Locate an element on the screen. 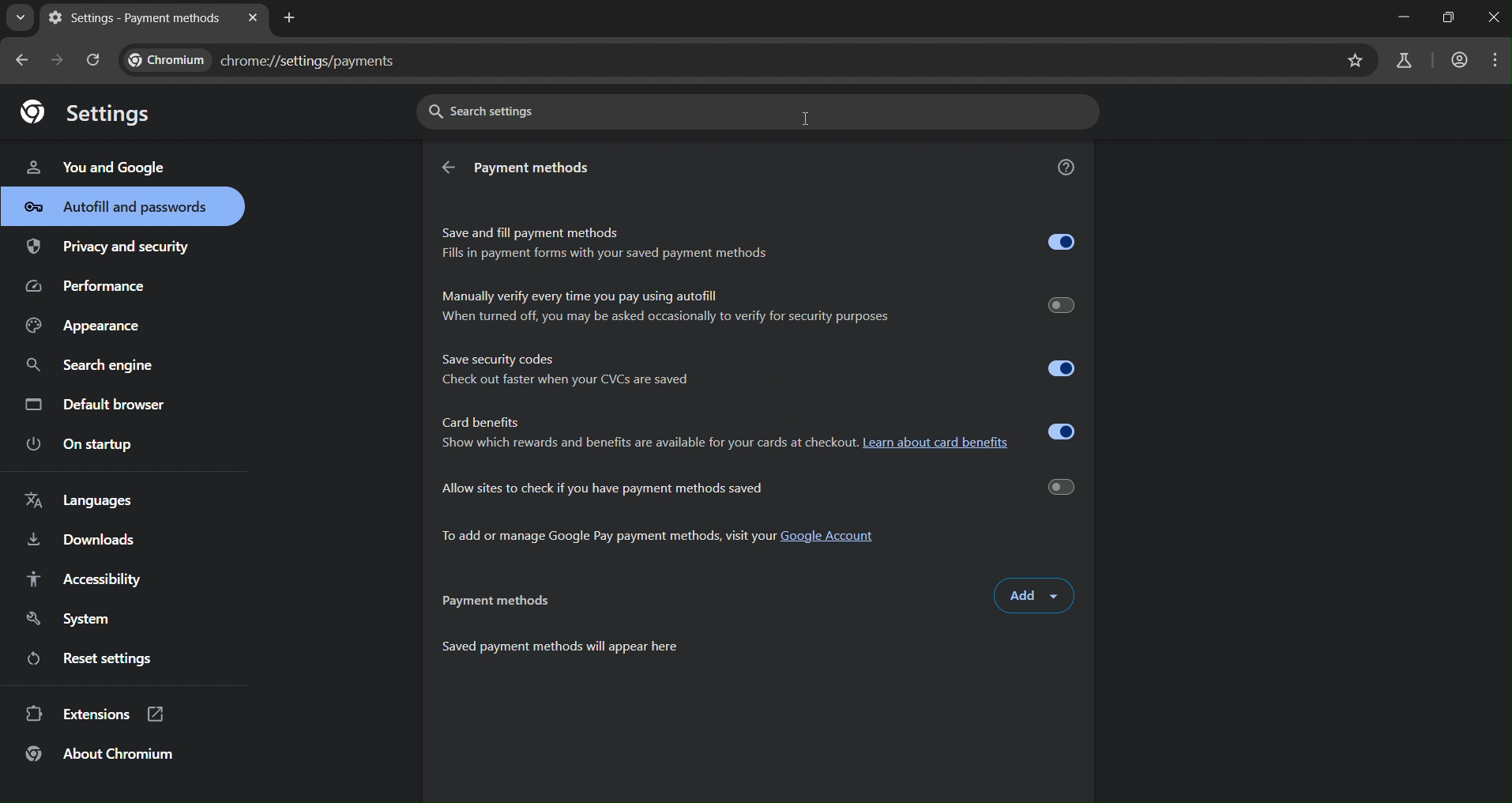 This screenshot has width=1512, height=803. system is located at coordinates (75, 616).